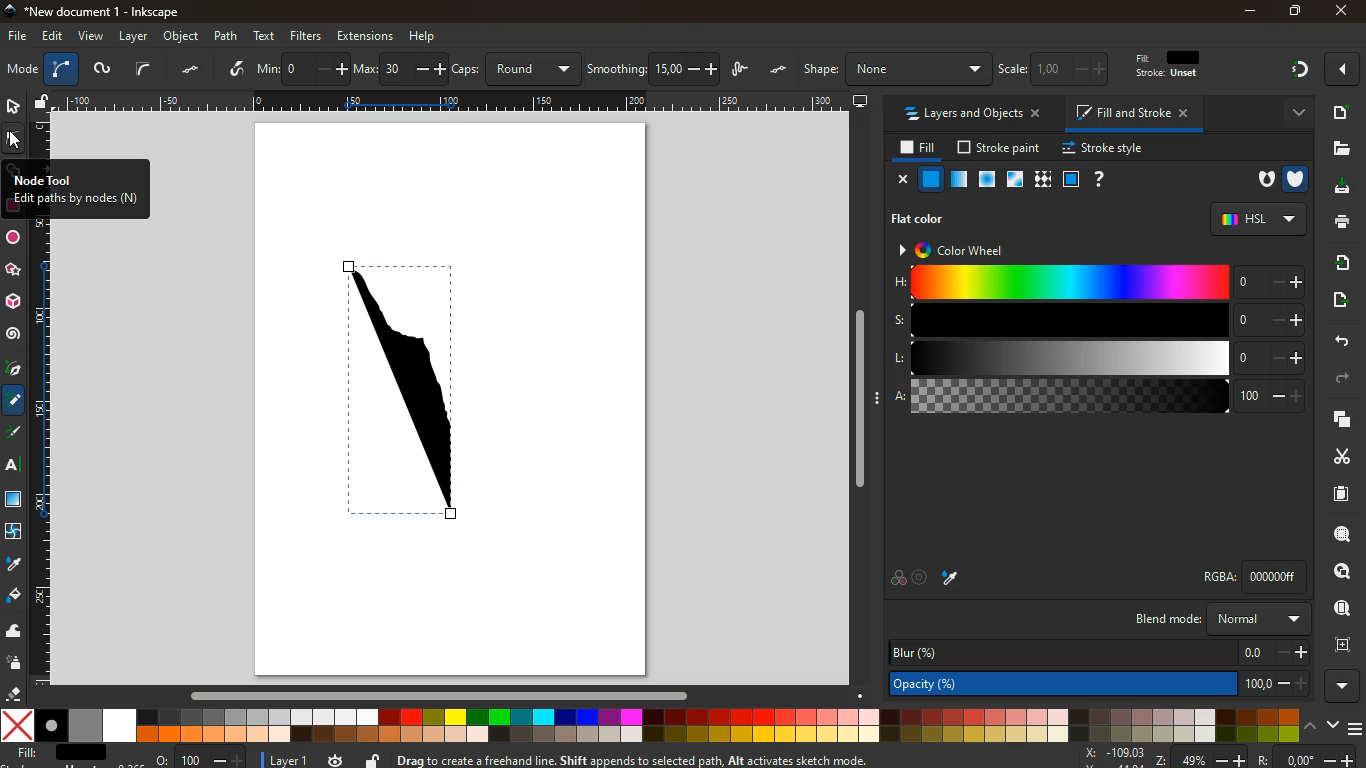 The image size is (1366, 768). Describe the element at coordinates (954, 580) in the screenshot. I see `drop` at that location.